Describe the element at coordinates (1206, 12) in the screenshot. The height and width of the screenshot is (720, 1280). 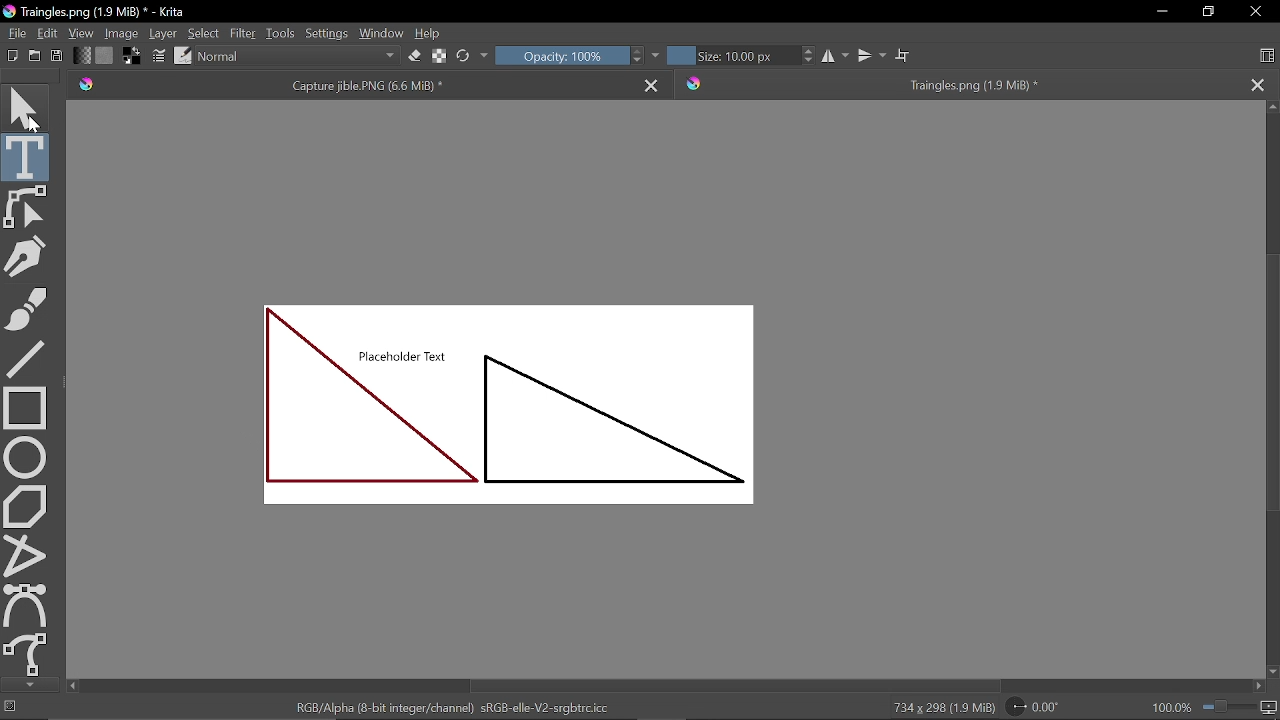
I see `Restore down` at that location.